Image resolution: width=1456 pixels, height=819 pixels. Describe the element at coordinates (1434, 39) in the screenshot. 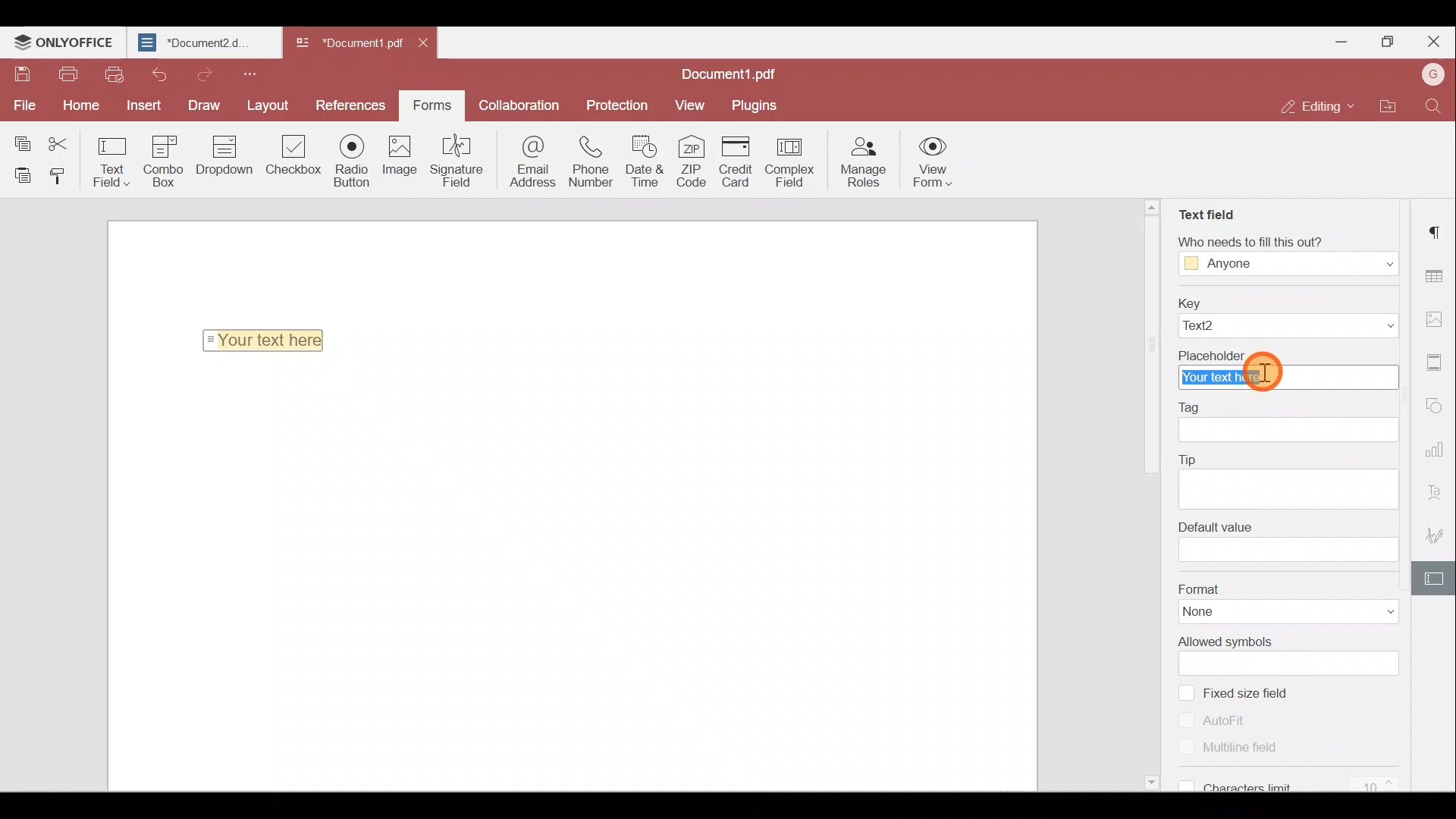

I see `Close` at that location.